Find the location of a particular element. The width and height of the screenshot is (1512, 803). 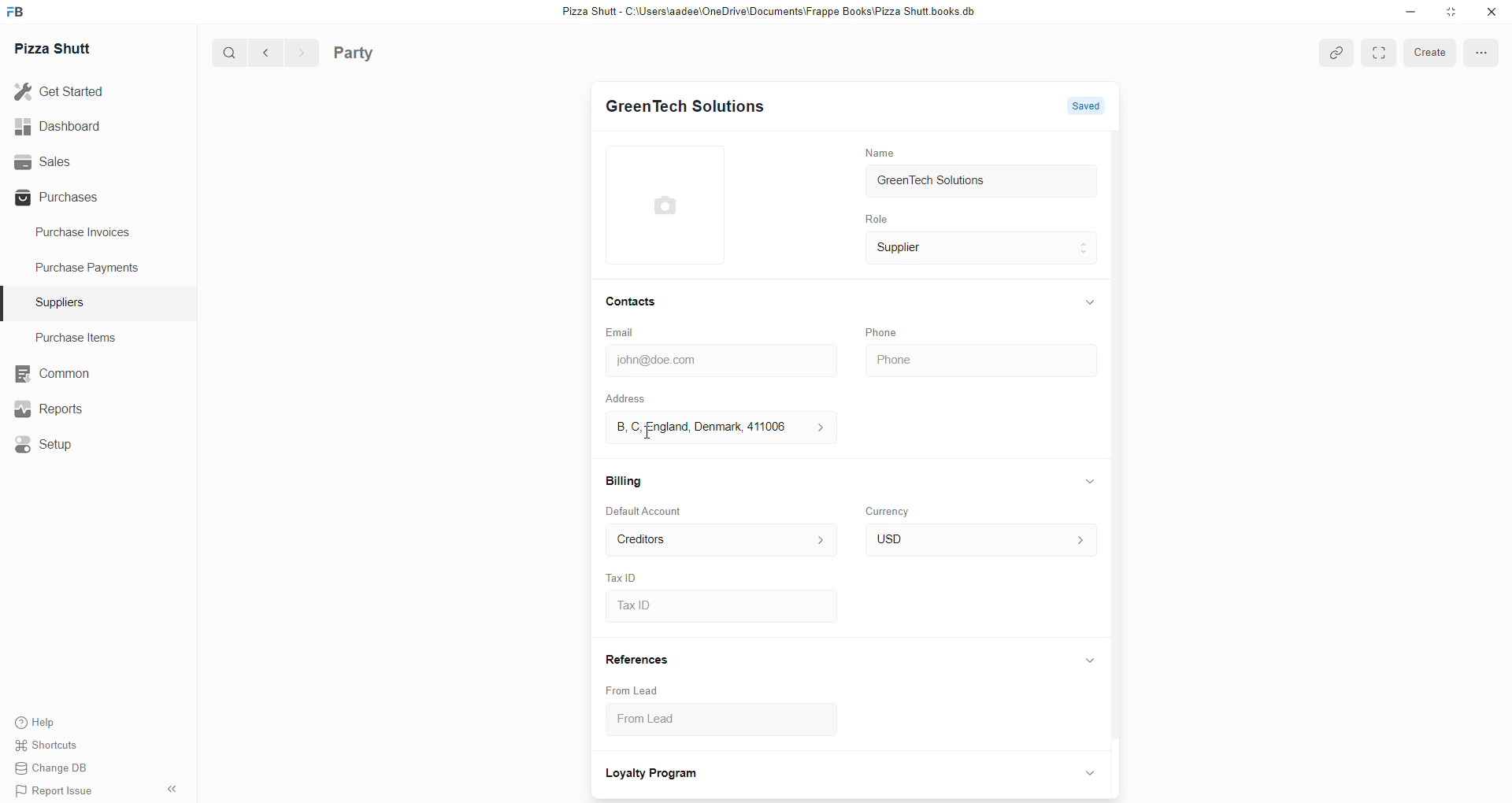

Default Account is located at coordinates (647, 512).